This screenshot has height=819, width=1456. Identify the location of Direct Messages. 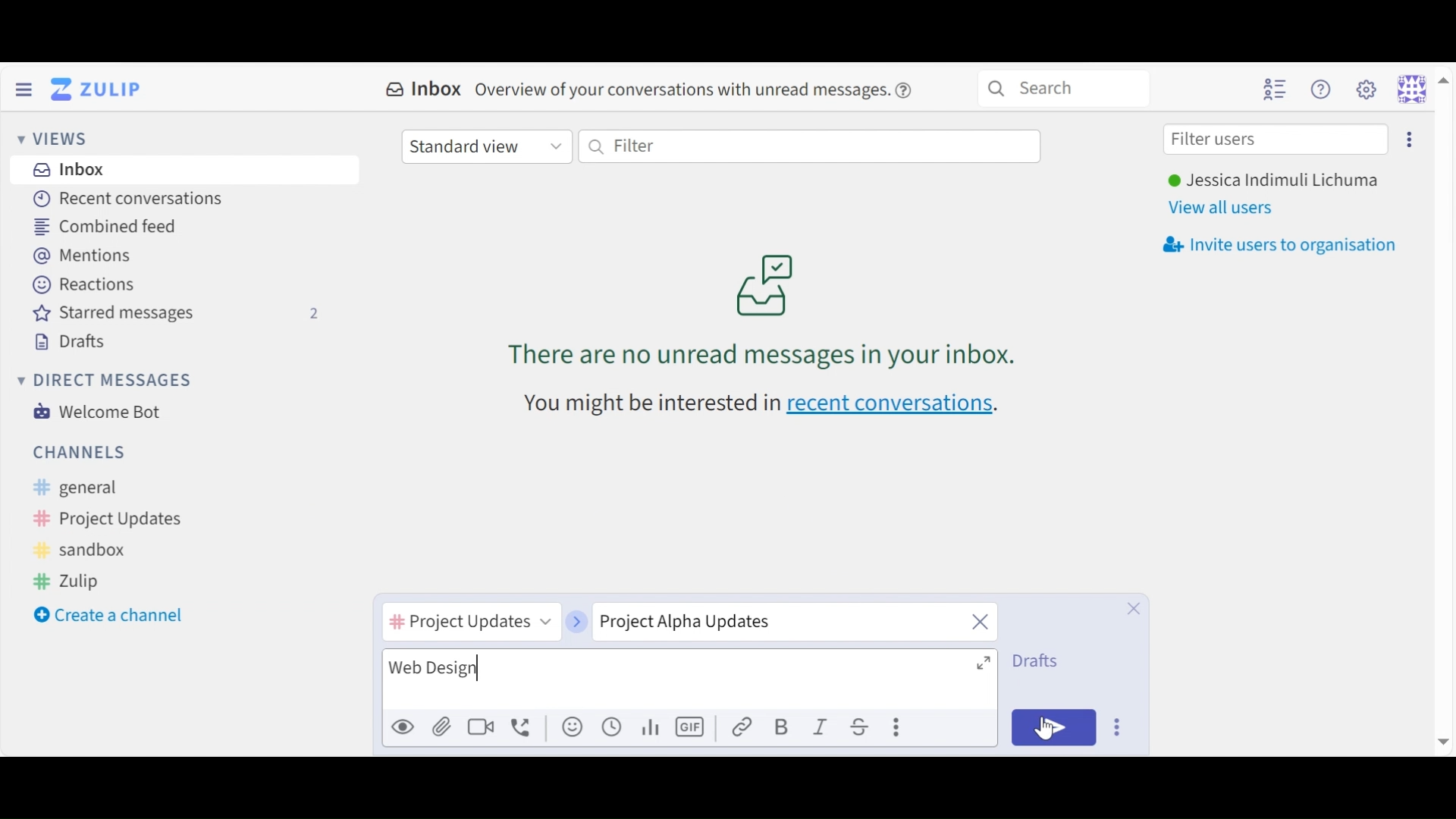
(108, 381).